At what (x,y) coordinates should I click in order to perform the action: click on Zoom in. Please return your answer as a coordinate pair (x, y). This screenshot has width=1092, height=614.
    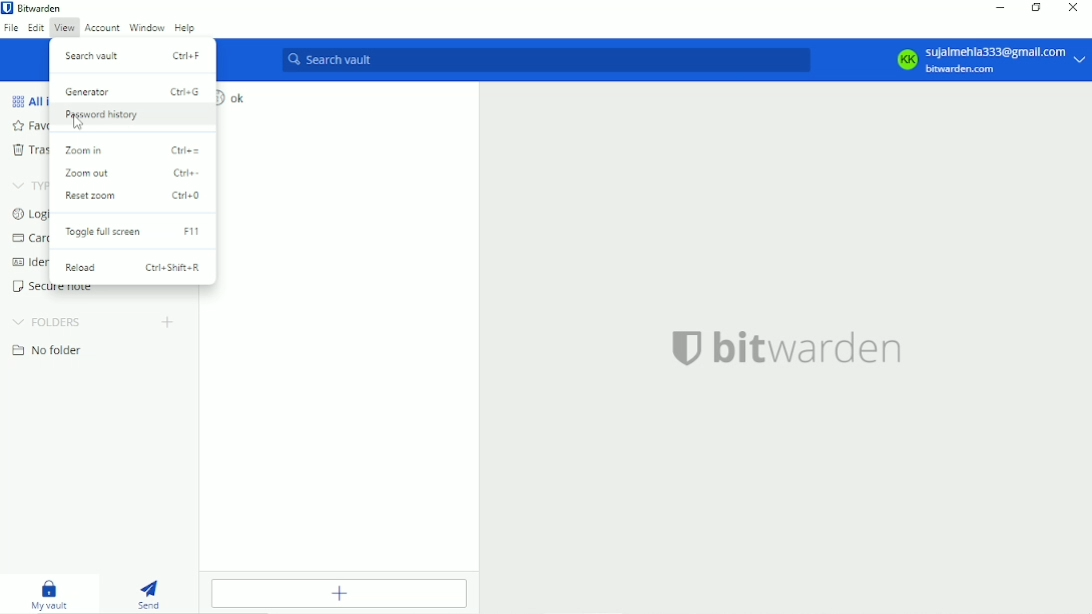
    Looking at the image, I should click on (134, 150).